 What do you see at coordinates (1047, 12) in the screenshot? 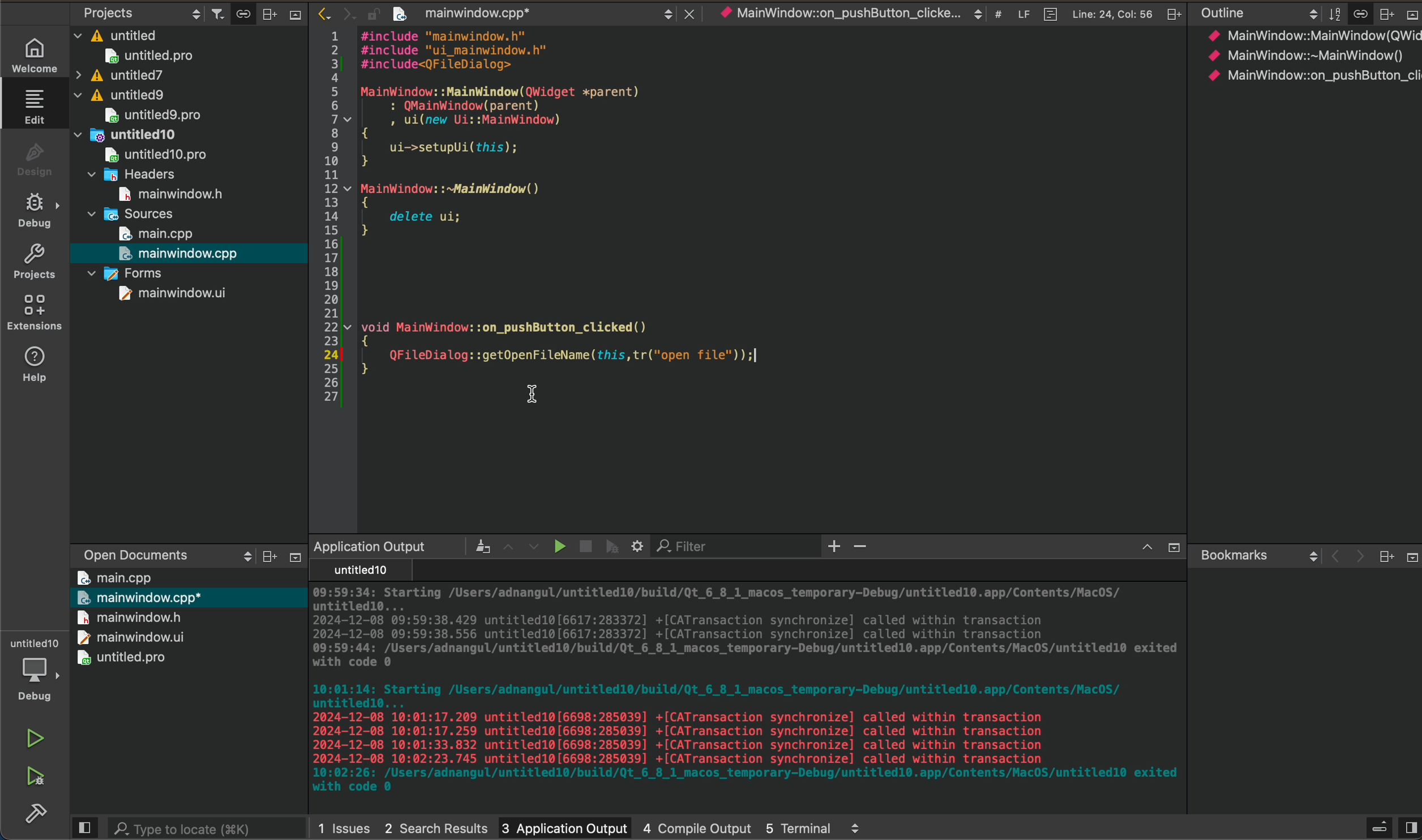
I see `file` at bounding box center [1047, 12].